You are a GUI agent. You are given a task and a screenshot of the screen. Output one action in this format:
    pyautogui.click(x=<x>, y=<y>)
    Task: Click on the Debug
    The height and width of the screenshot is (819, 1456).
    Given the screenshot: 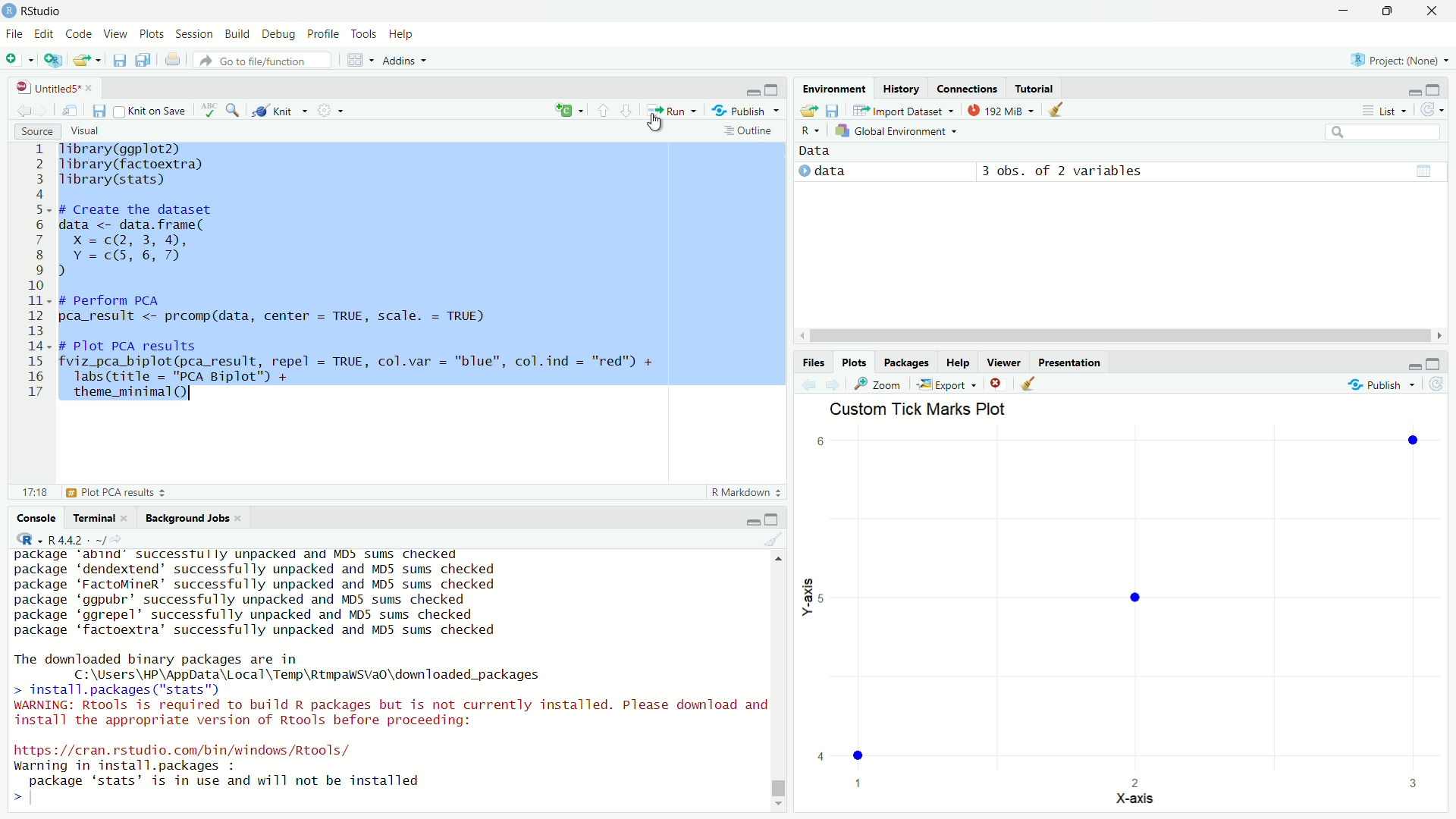 What is the action you would take?
    pyautogui.click(x=280, y=35)
    